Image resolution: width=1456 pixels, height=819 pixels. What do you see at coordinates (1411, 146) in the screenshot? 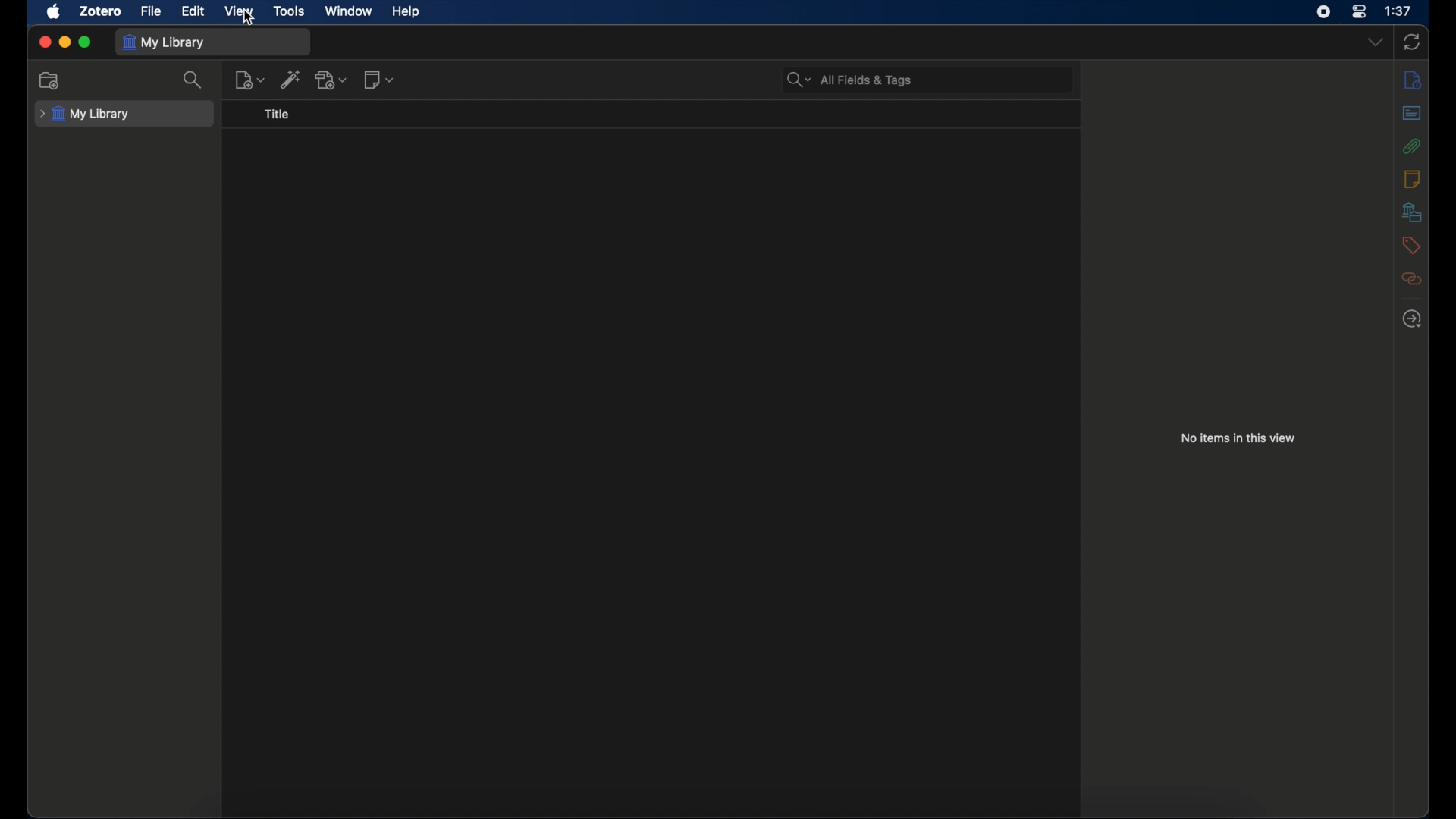
I see `attachments` at bounding box center [1411, 146].